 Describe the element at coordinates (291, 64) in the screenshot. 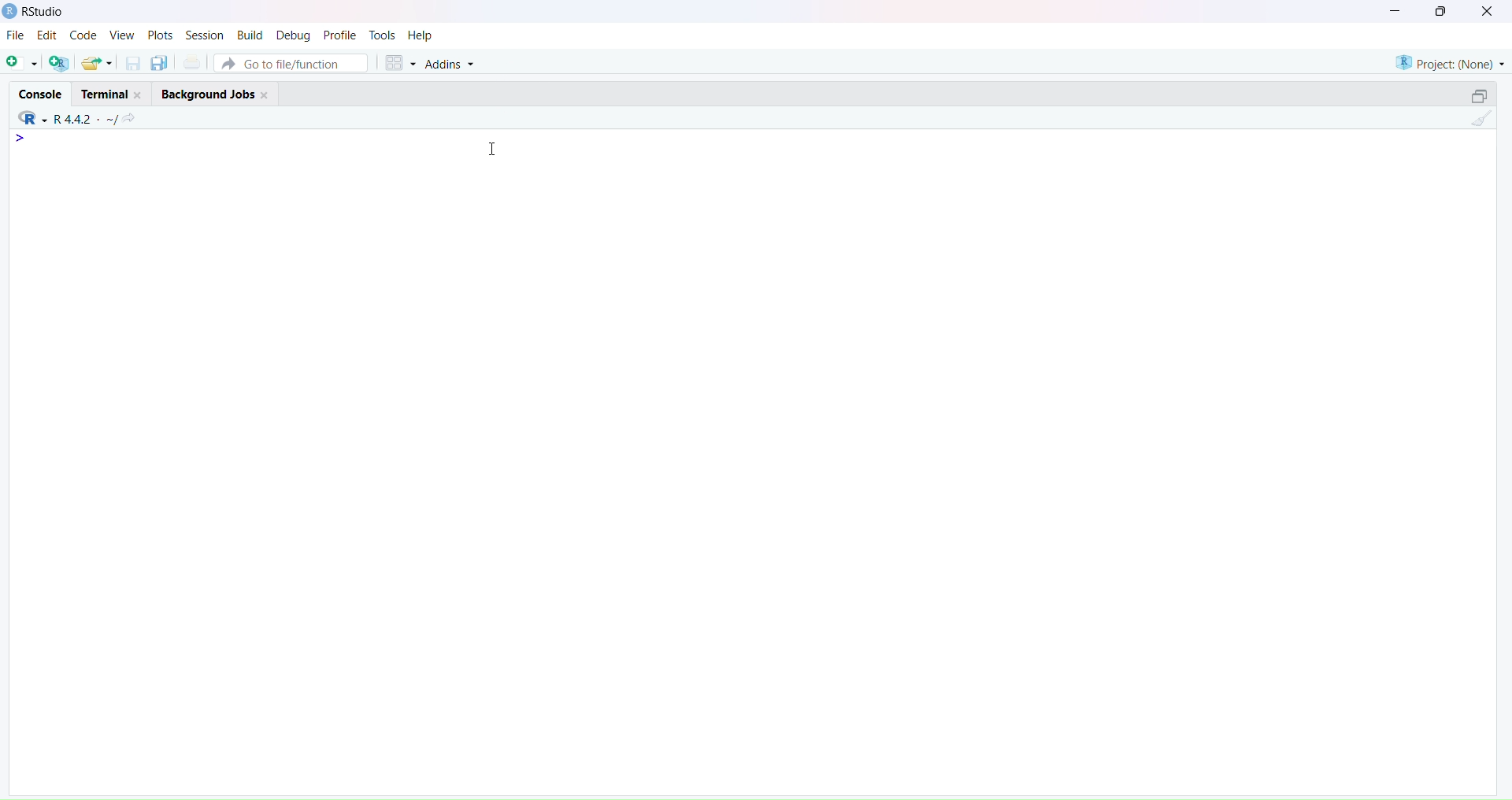

I see `go to file/function` at that location.